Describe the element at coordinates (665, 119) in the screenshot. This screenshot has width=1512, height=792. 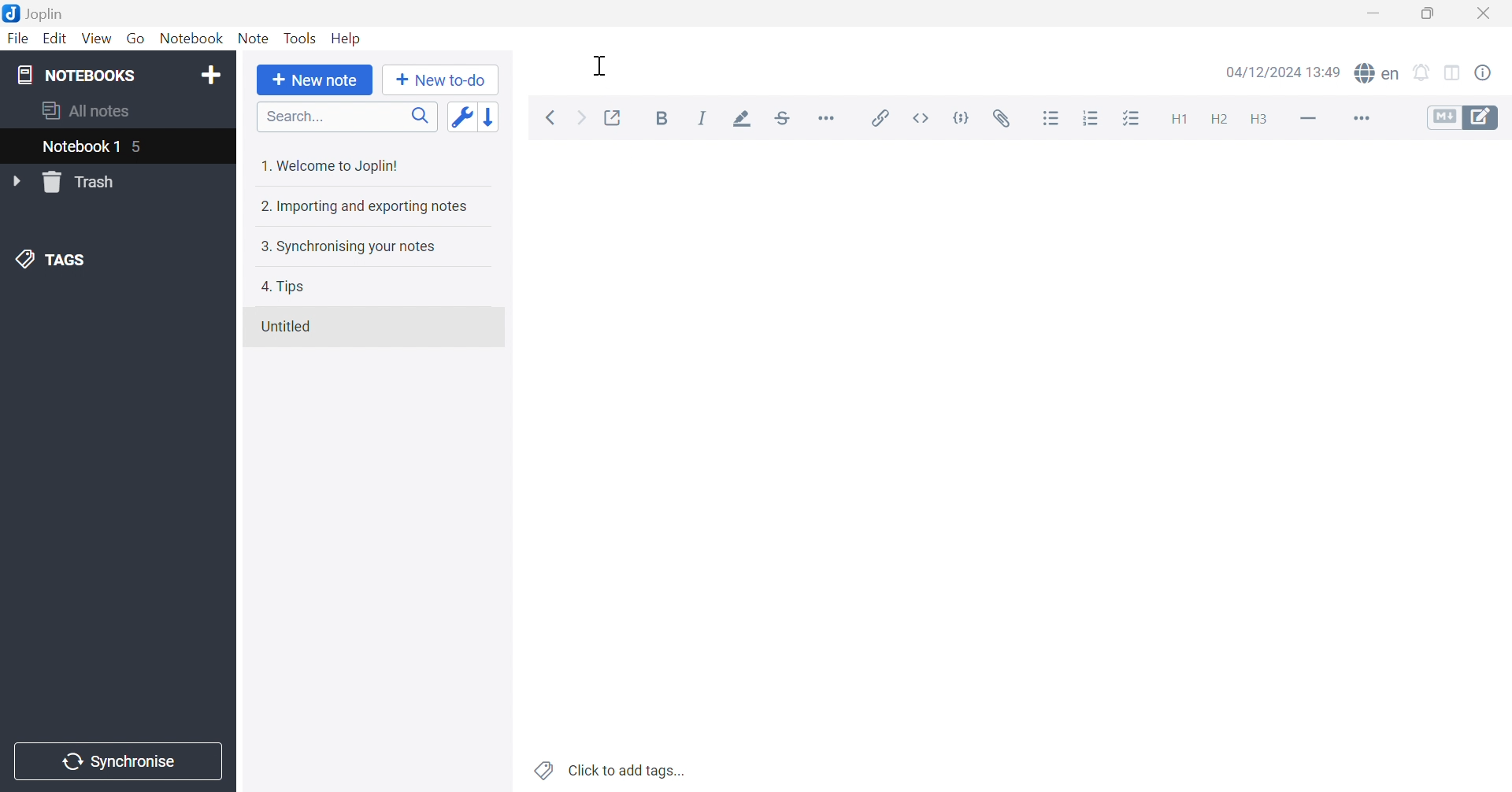
I see `Bold` at that location.